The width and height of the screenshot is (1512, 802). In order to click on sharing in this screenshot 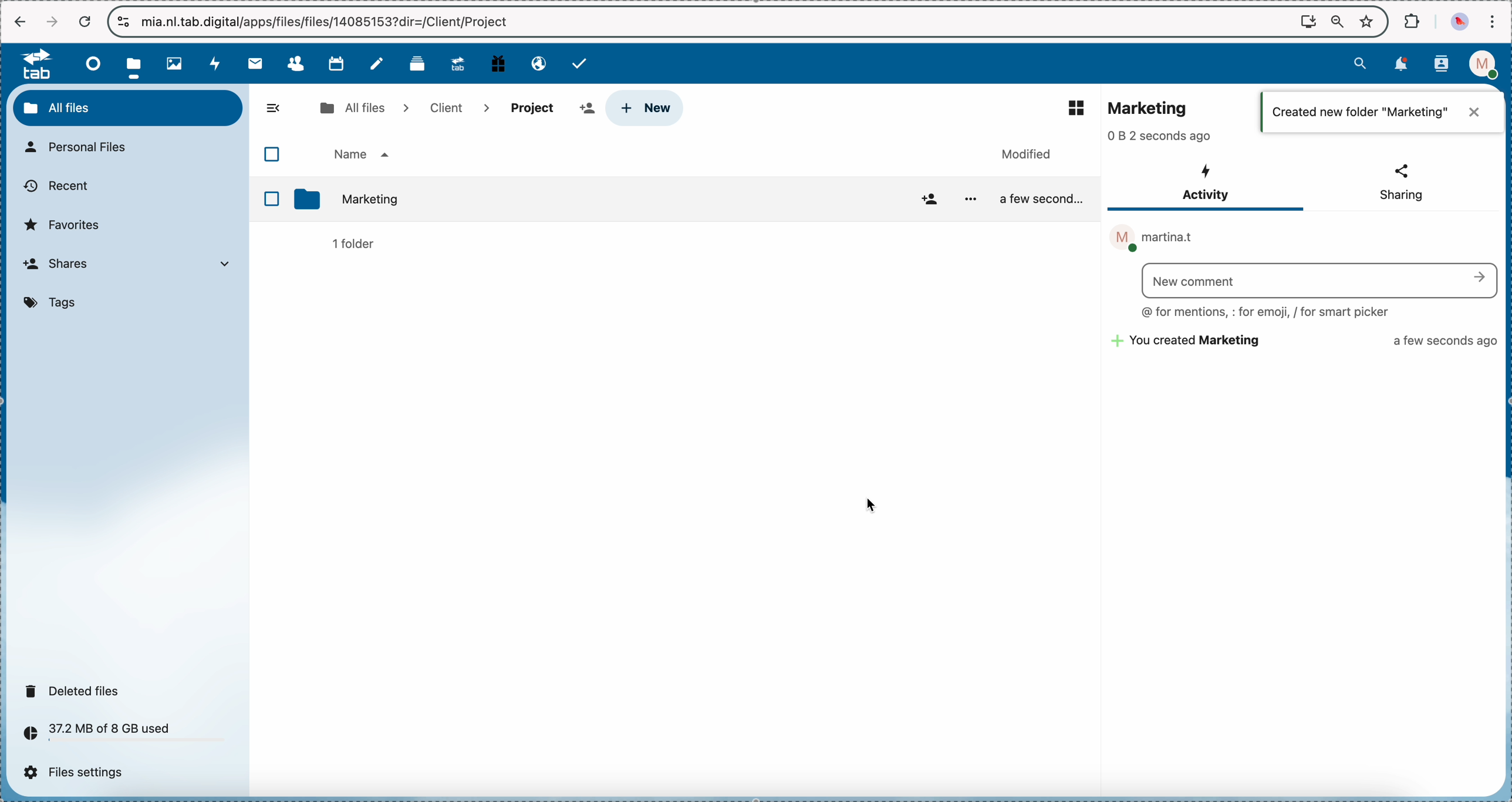, I will do `click(1399, 183)`.